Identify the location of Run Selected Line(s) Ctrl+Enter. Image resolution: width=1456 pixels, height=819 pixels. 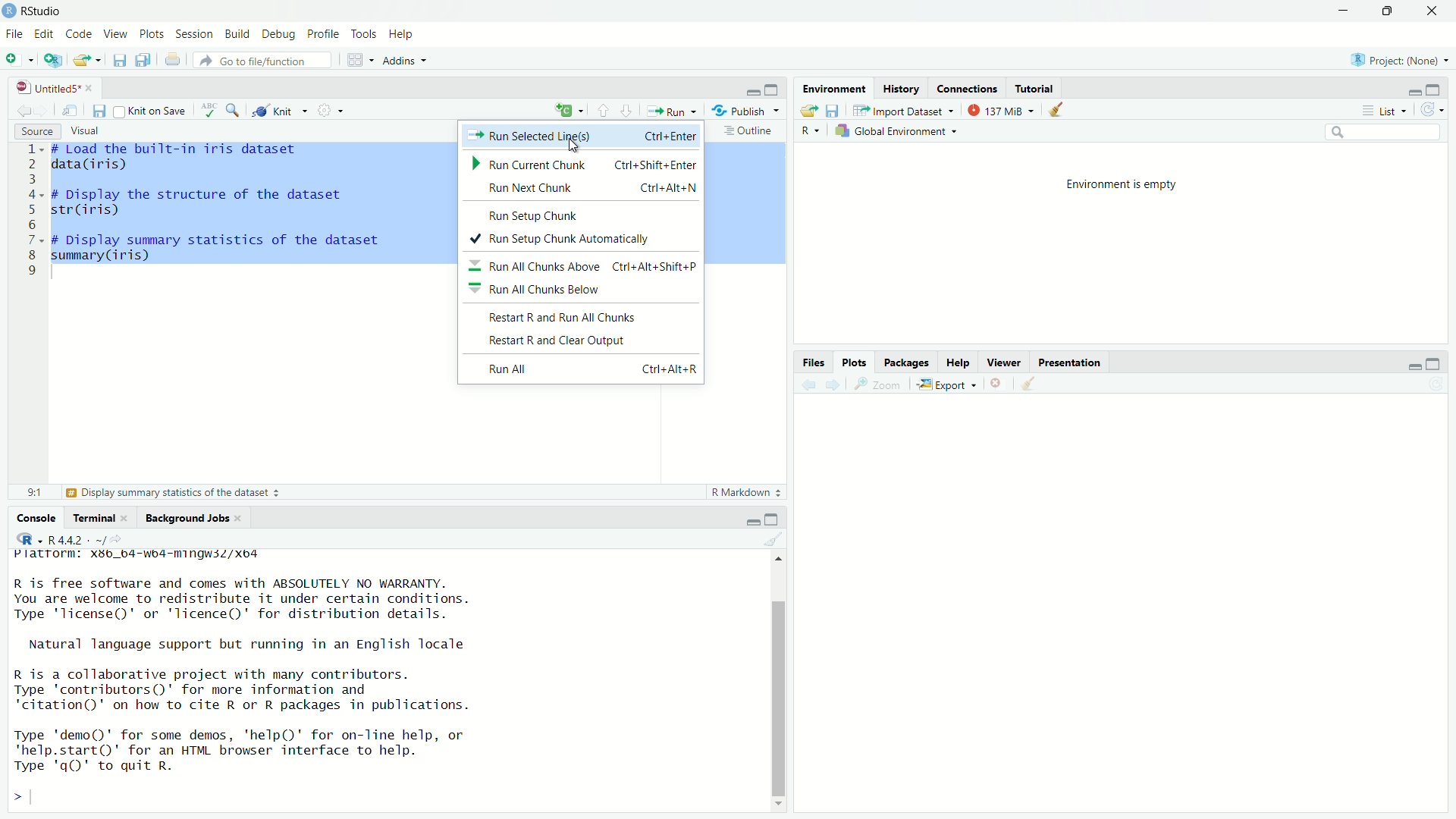
(582, 135).